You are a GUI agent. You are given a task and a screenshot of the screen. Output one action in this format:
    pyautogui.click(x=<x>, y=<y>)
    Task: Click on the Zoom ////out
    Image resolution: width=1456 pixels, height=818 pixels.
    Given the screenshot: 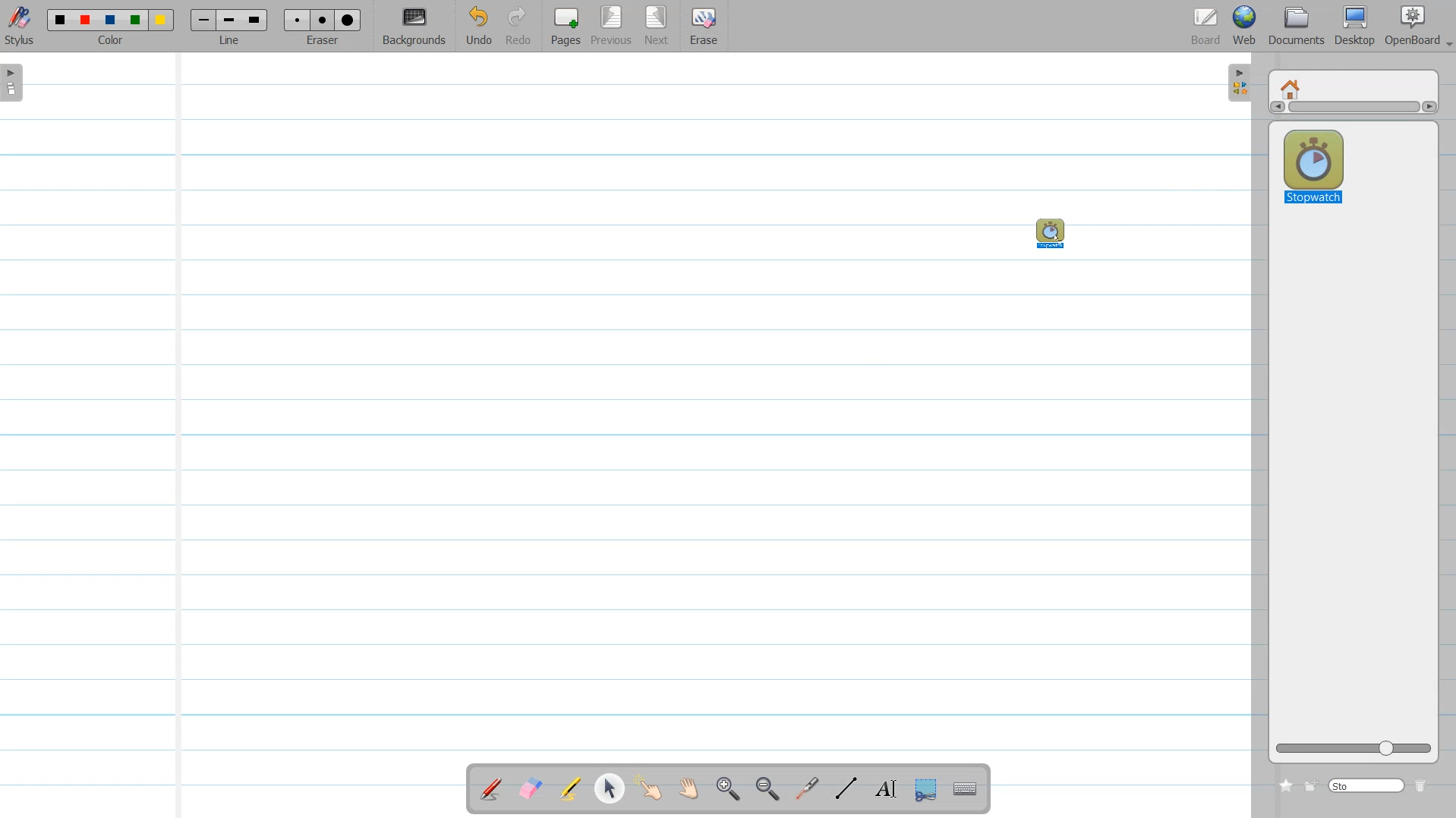 What is the action you would take?
    pyautogui.click(x=770, y=788)
    